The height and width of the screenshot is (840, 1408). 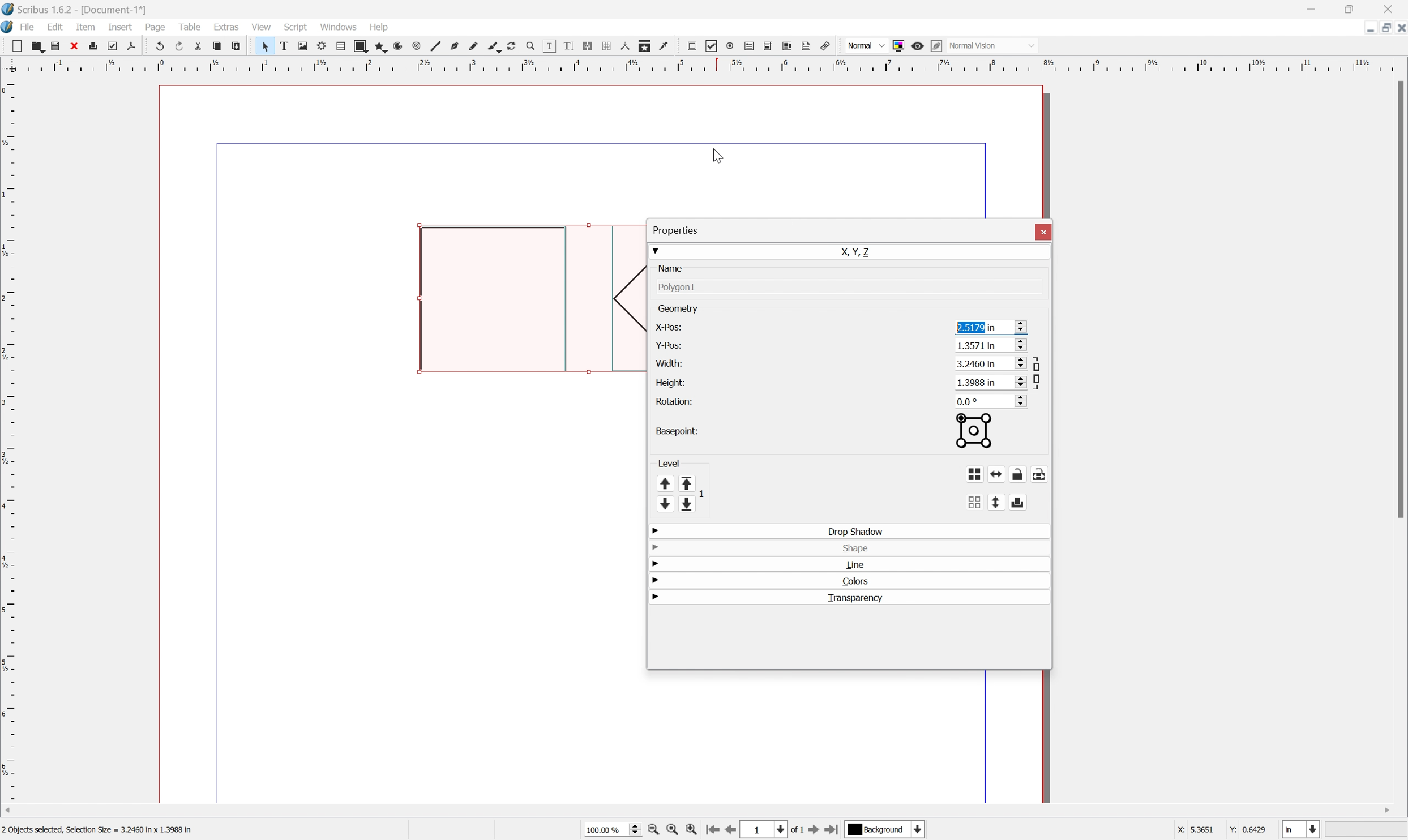 What do you see at coordinates (855, 581) in the screenshot?
I see `colors` at bounding box center [855, 581].